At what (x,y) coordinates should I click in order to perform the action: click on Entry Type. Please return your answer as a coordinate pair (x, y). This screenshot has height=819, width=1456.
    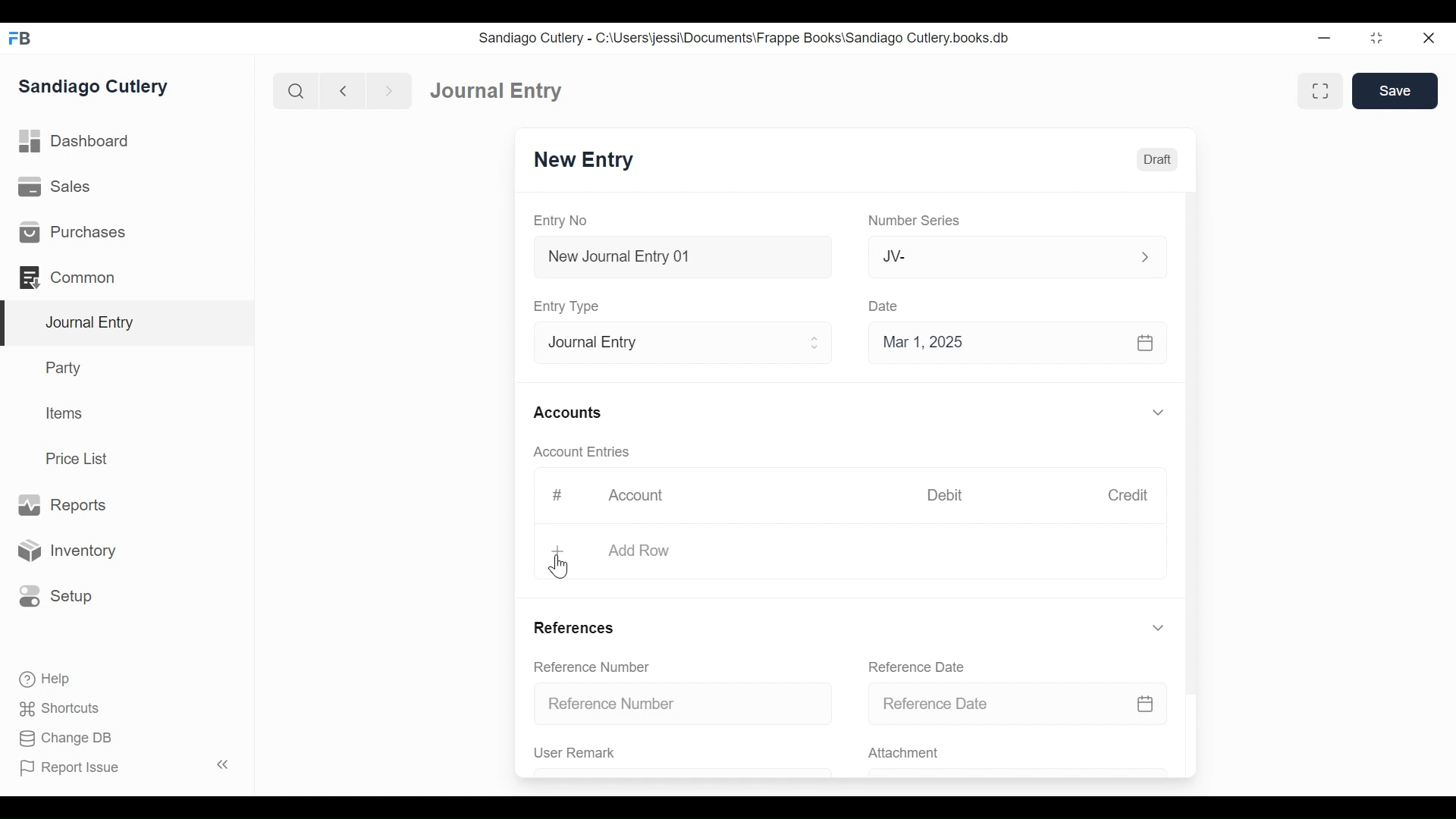
    Looking at the image, I should click on (678, 340).